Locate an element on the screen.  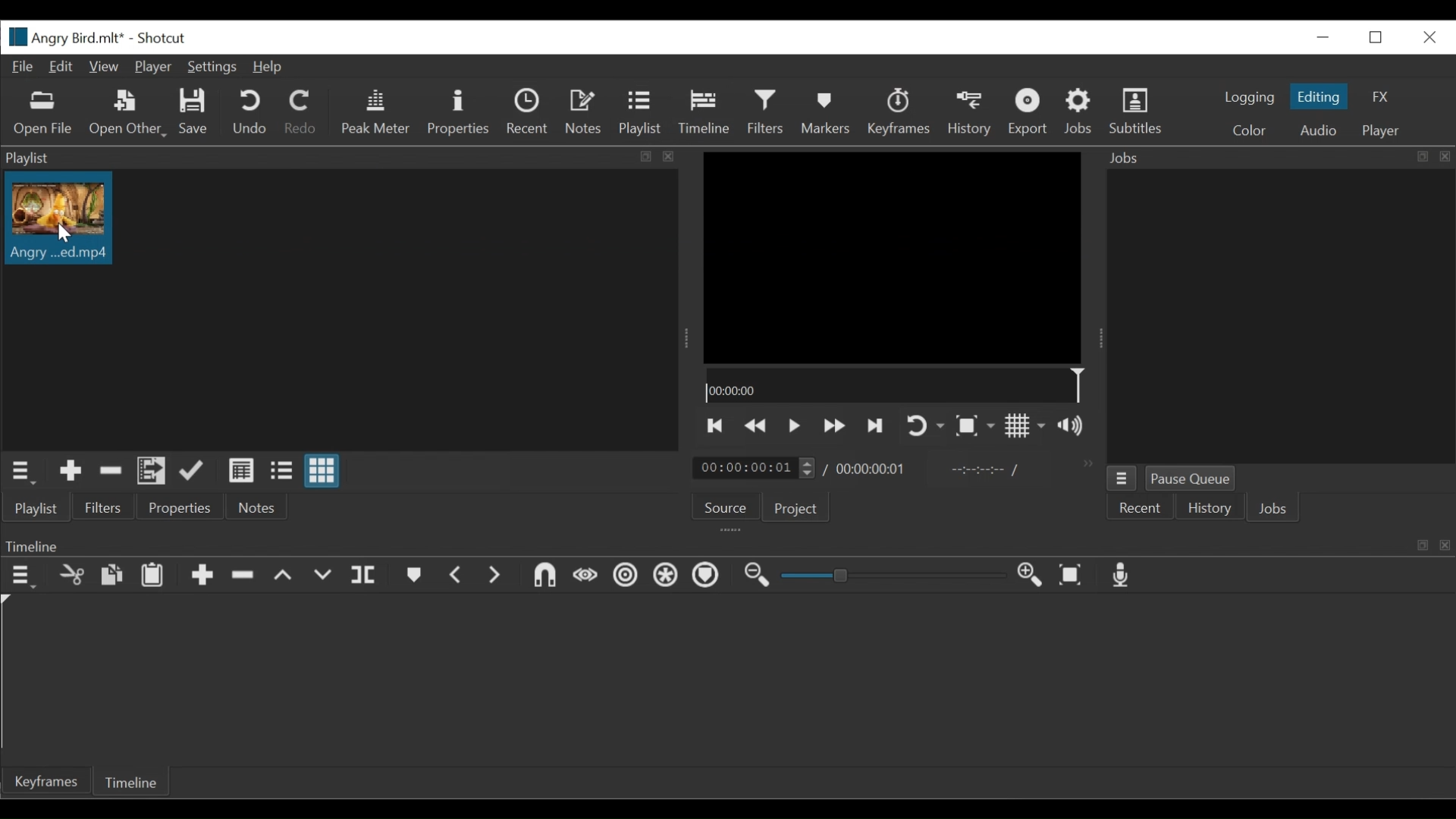
Skip to the previous point is located at coordinates (717, 426).